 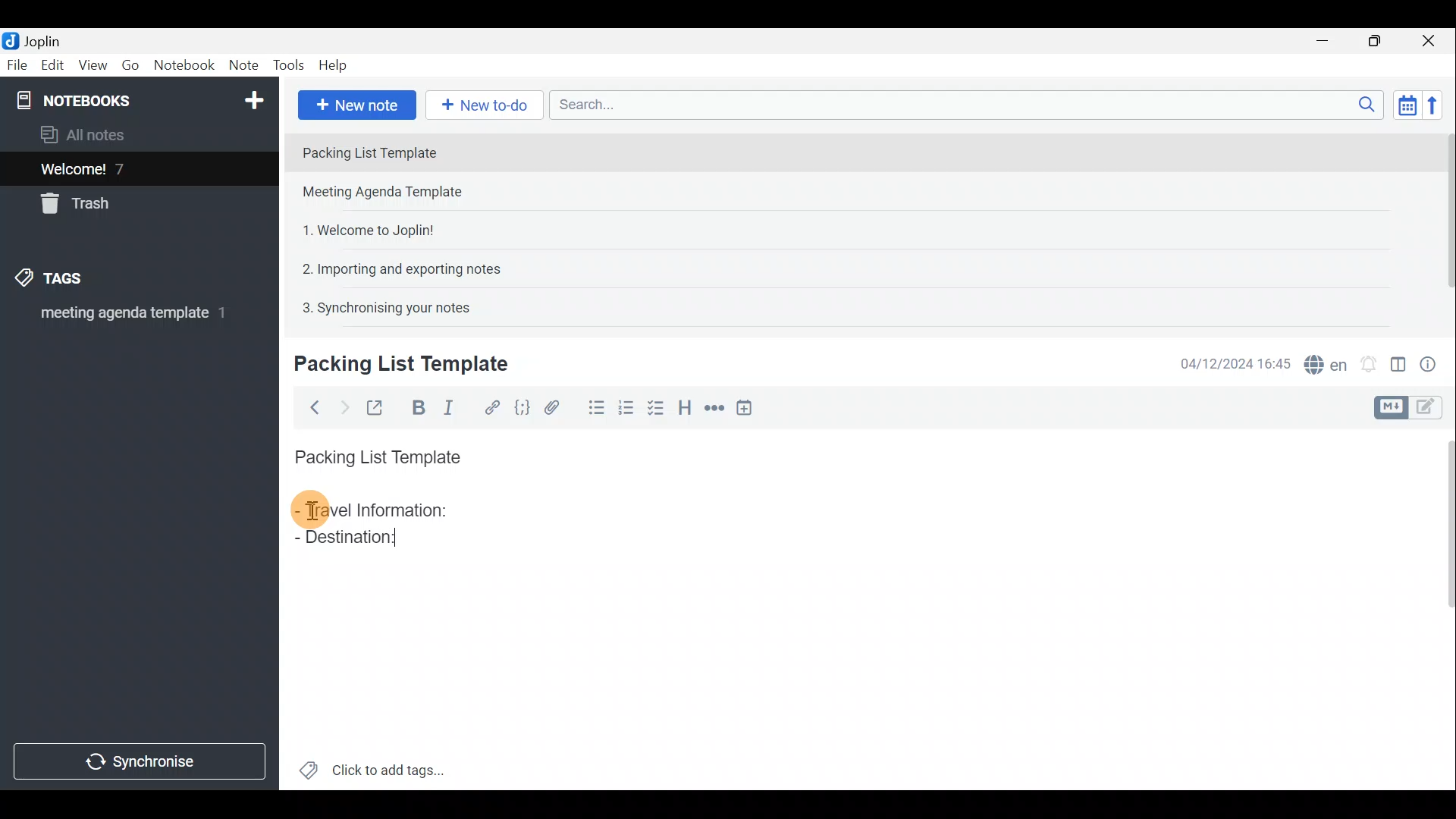 I want to click on Toggle editors, so click(x=1433, y=409).